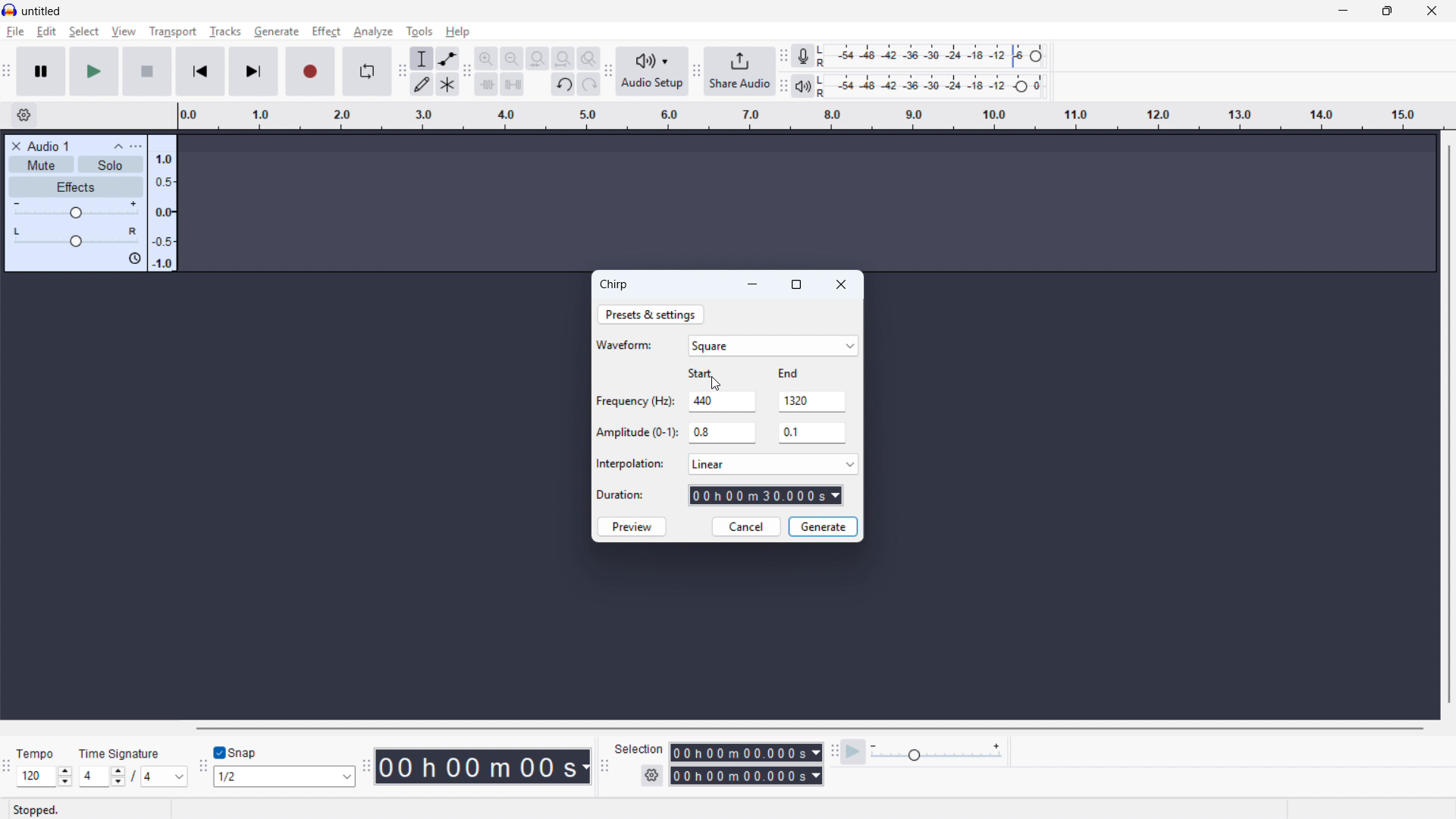  I want to click on Transport toolbar, so click(7, 71).